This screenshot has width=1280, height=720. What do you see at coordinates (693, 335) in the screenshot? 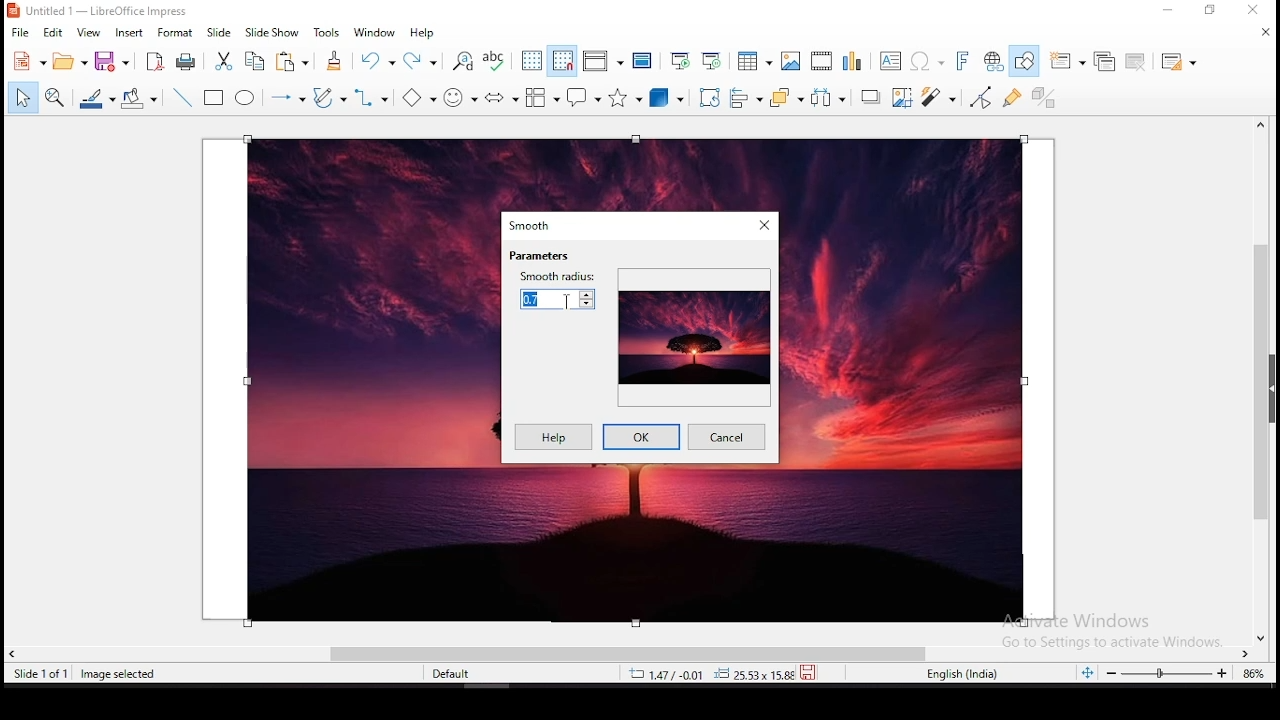
I see `preview` at bounding box center [693, 335].